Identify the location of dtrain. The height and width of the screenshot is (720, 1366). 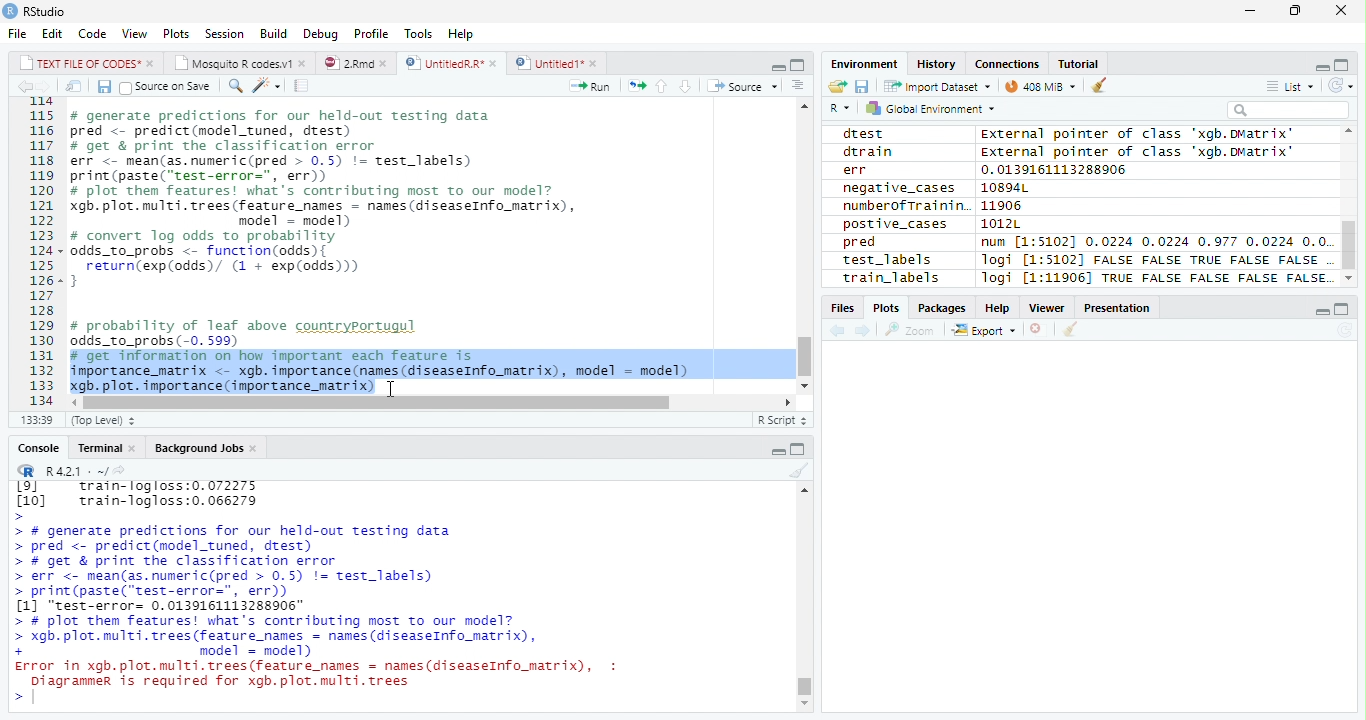
(867, 152).